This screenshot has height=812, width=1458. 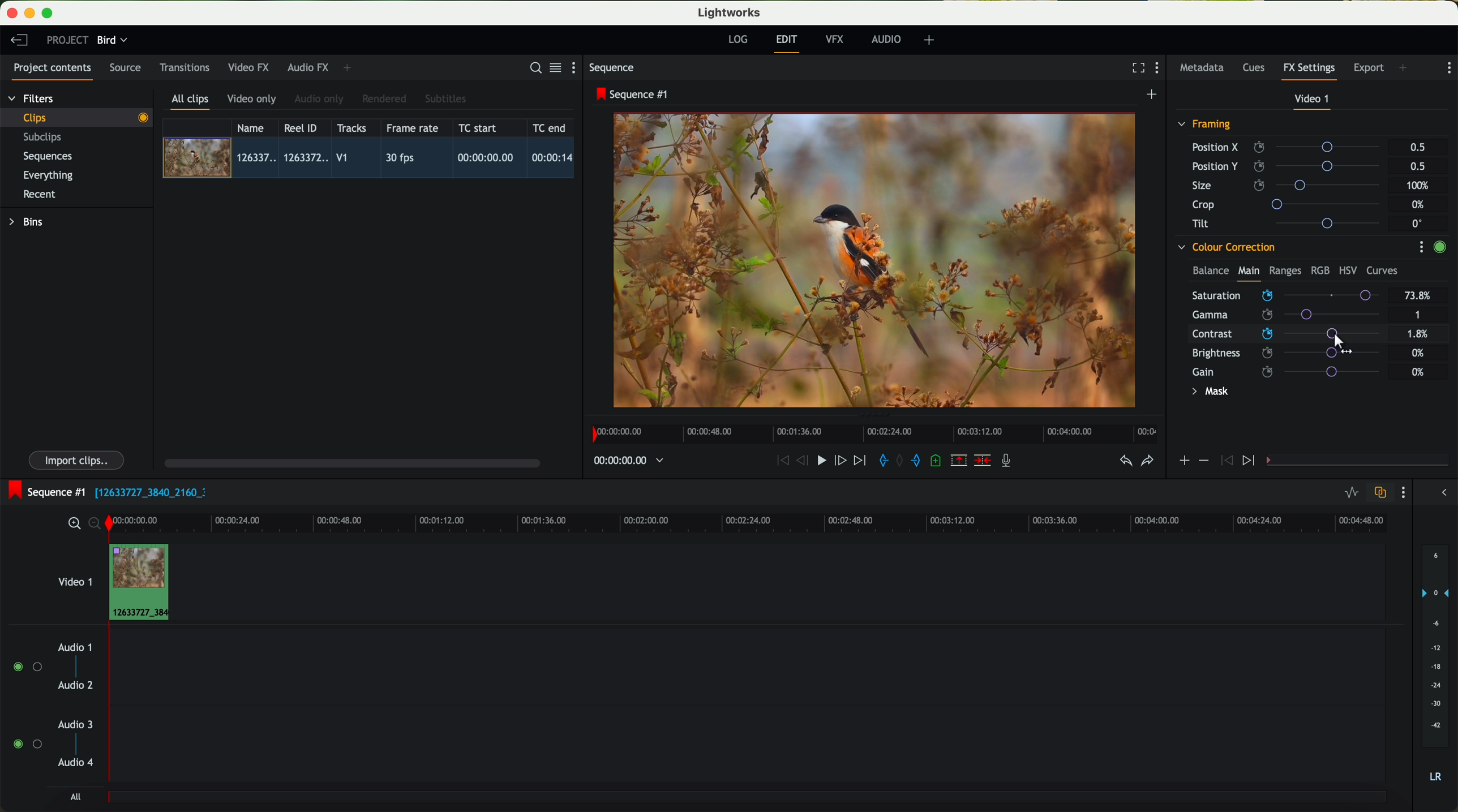 I want to click on show settings menu, so click(x=1160, y=69).